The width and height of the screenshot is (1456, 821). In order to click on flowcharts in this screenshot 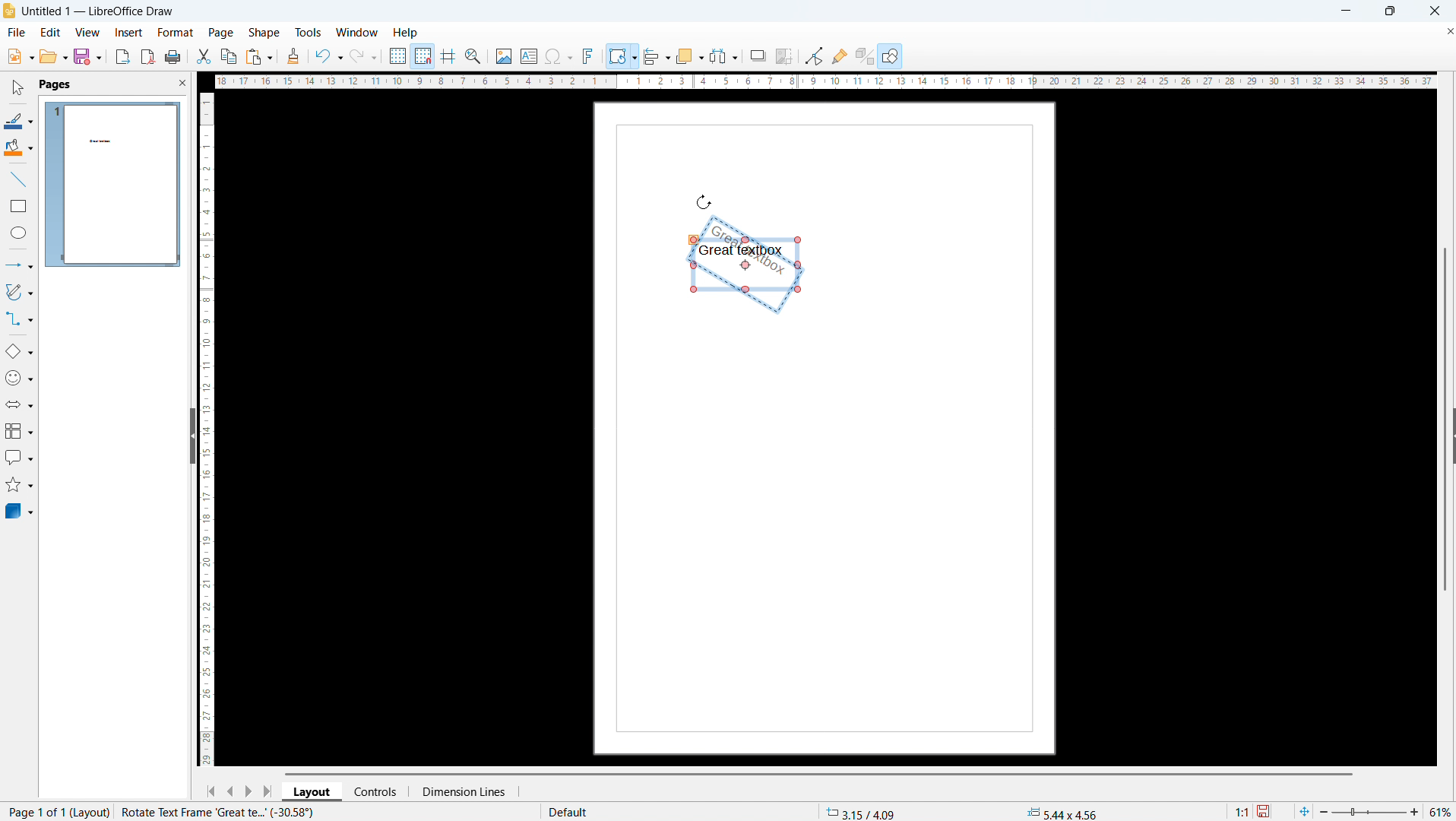, I will do `click(18, 431)`.